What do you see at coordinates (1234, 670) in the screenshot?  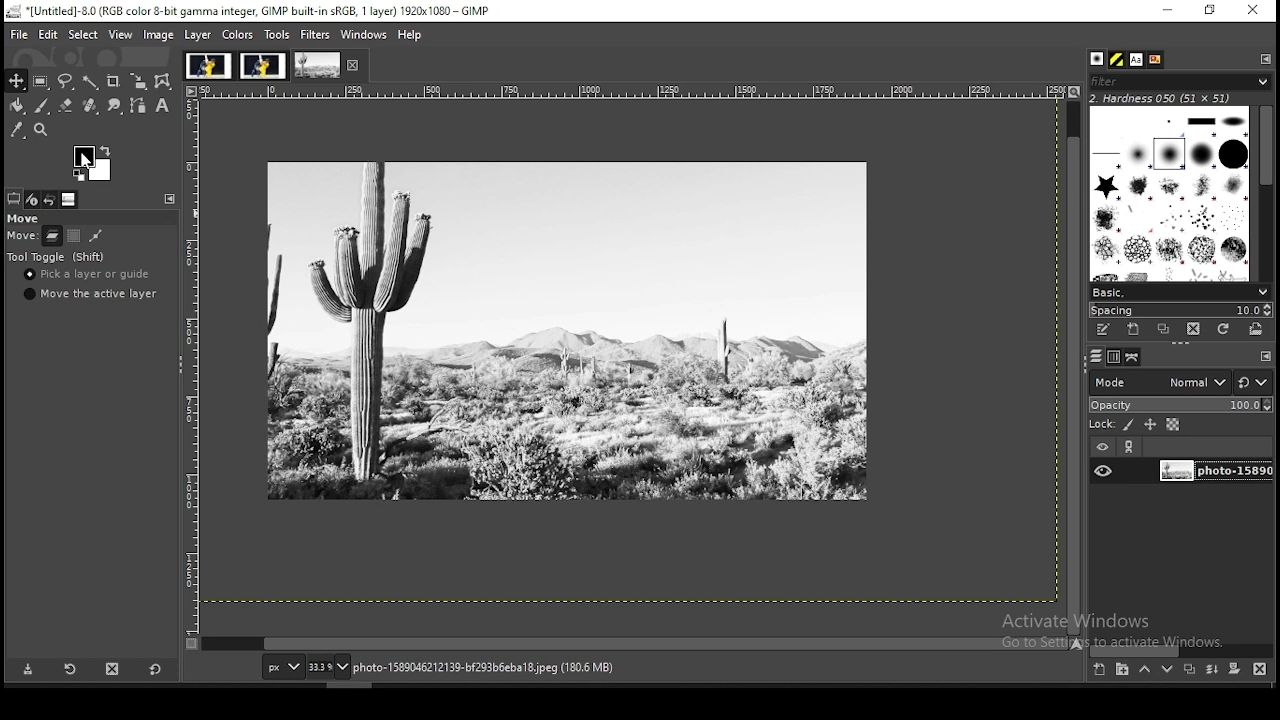 I see `mask layer` at bounding box center [1234, 670].